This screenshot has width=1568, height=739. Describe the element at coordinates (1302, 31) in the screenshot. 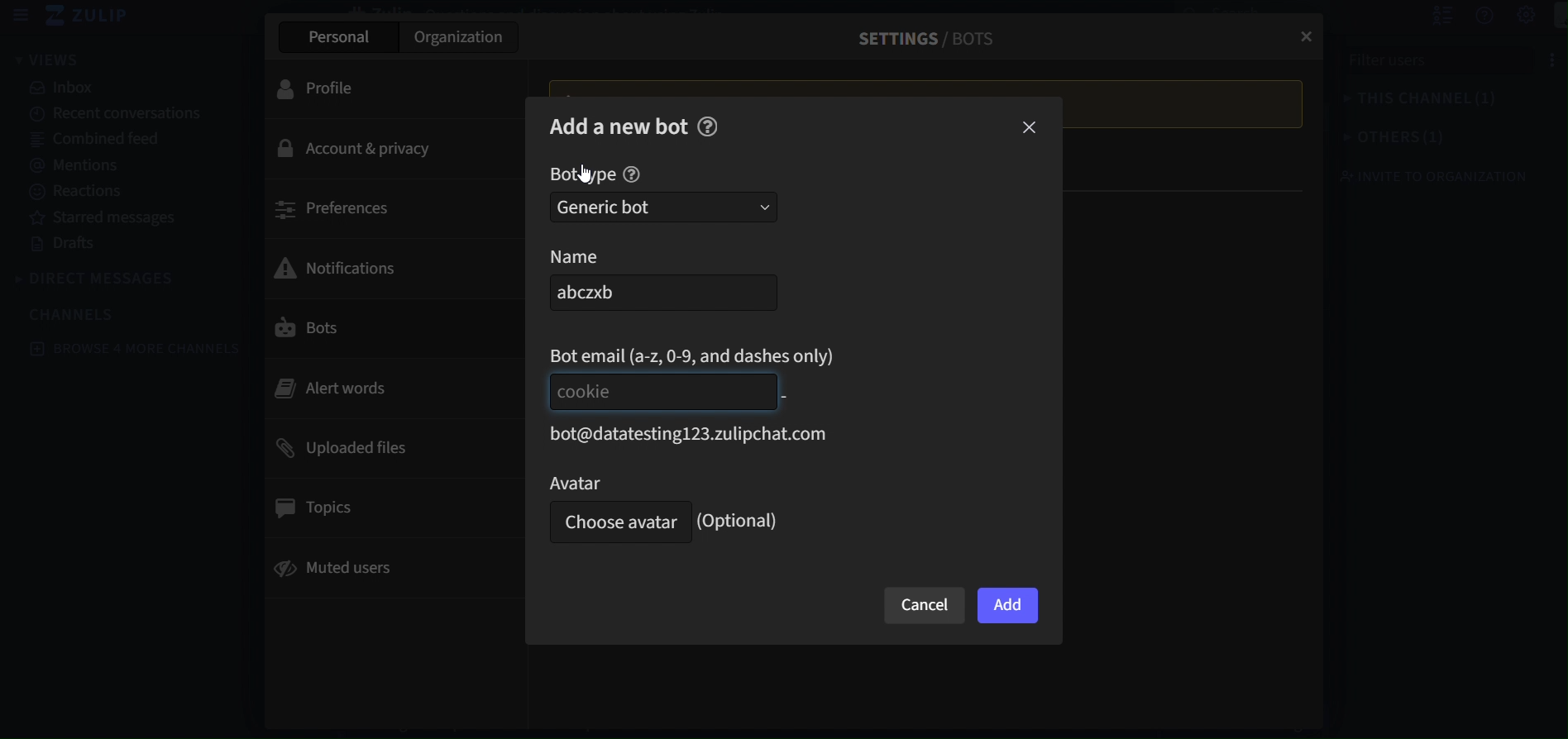

I see `close` at that location.